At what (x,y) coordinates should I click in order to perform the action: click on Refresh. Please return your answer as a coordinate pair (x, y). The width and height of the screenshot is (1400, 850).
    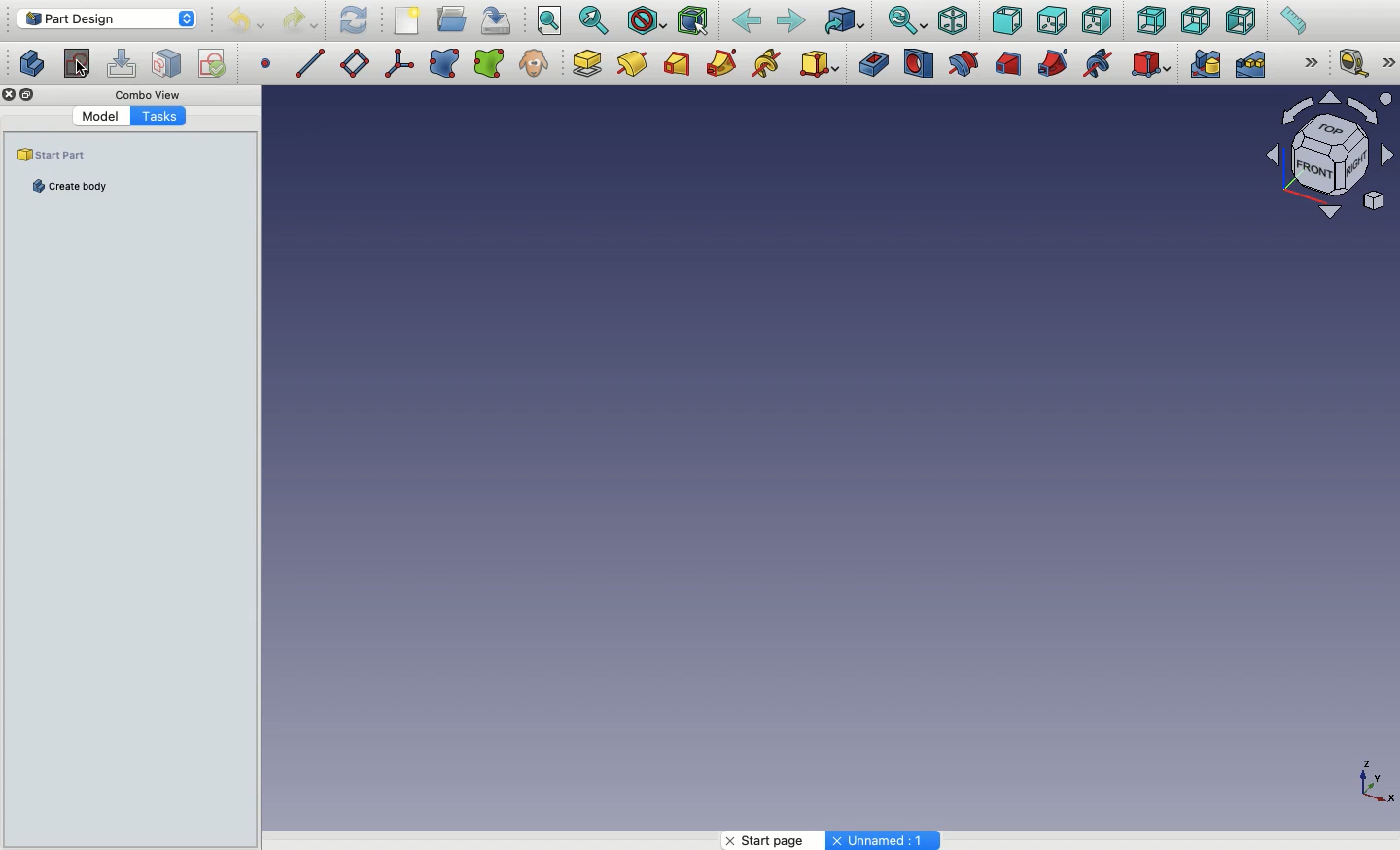
    Looking at the image, I should click on (353, 18).